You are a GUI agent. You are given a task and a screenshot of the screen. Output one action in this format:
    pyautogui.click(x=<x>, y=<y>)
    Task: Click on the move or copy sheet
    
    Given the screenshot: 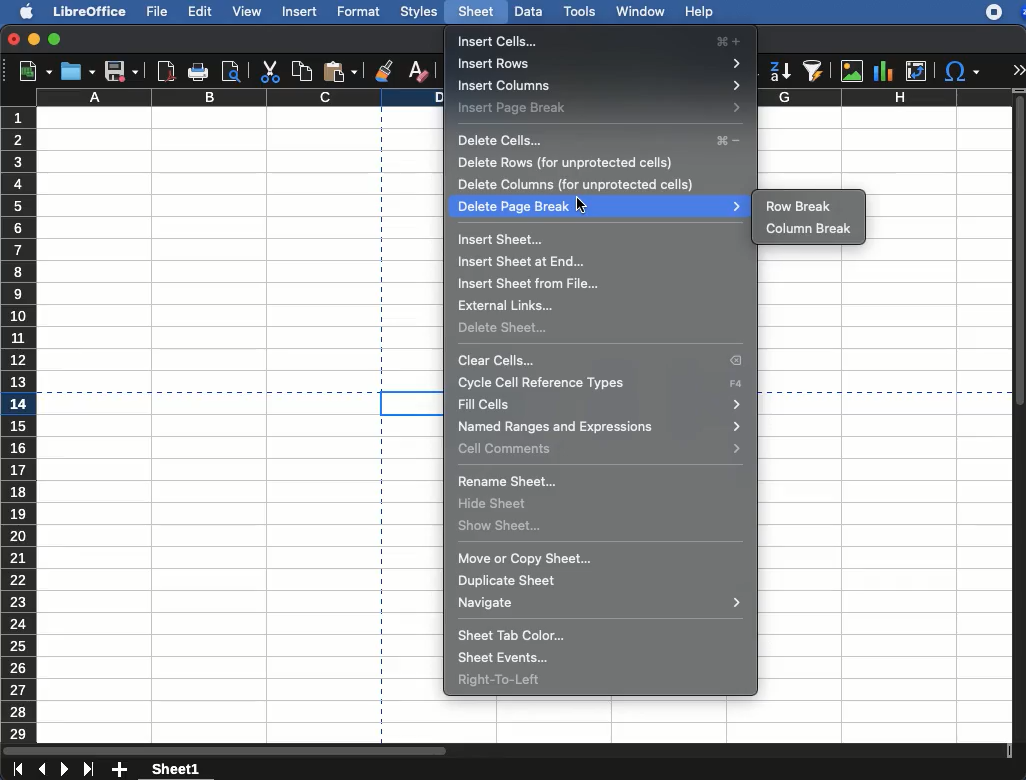 What is the action you would take?
    pyautogui.click(x=525, y=559)
    